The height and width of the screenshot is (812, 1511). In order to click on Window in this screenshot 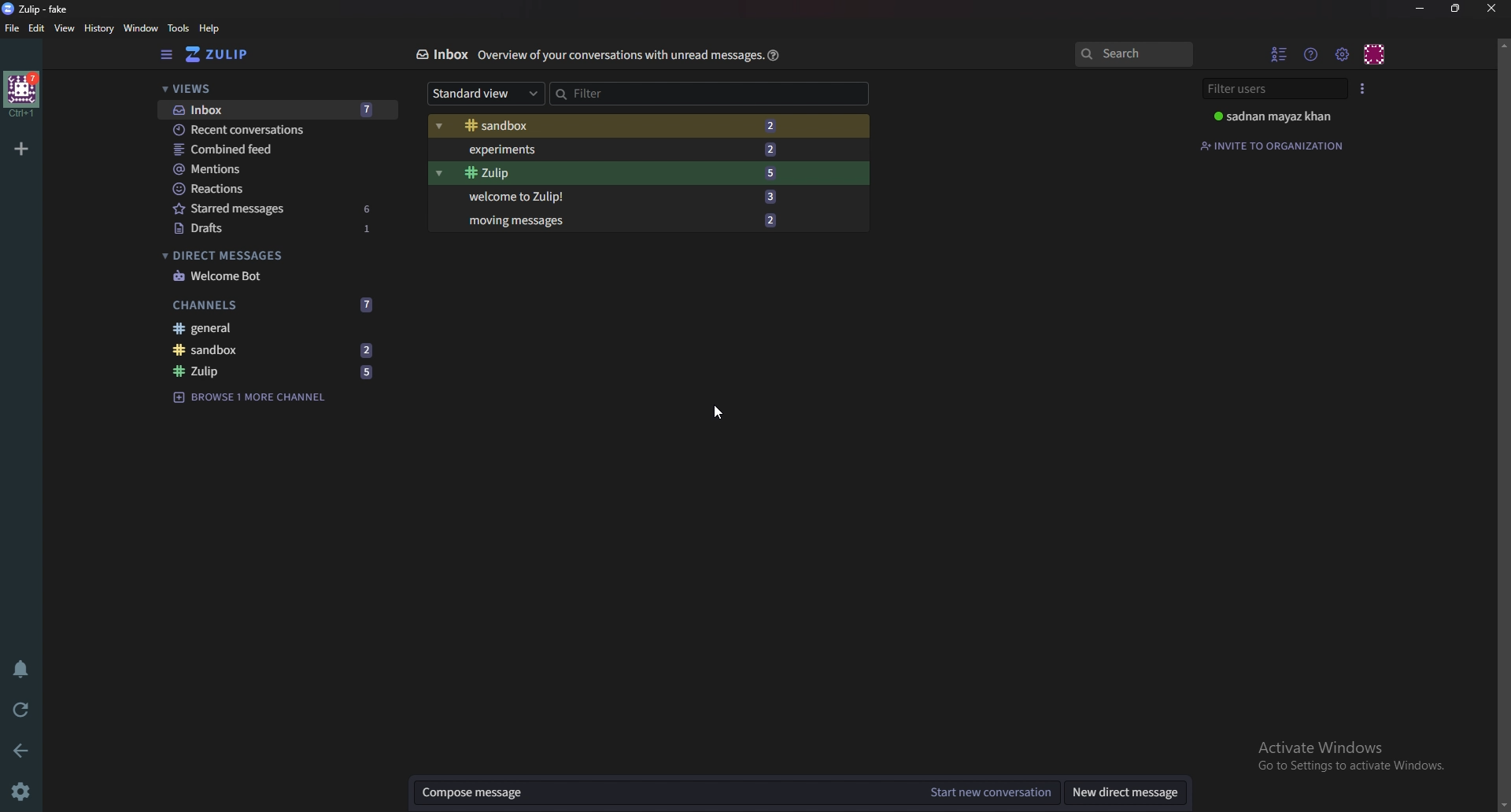, I will do `click(142, 28)`.